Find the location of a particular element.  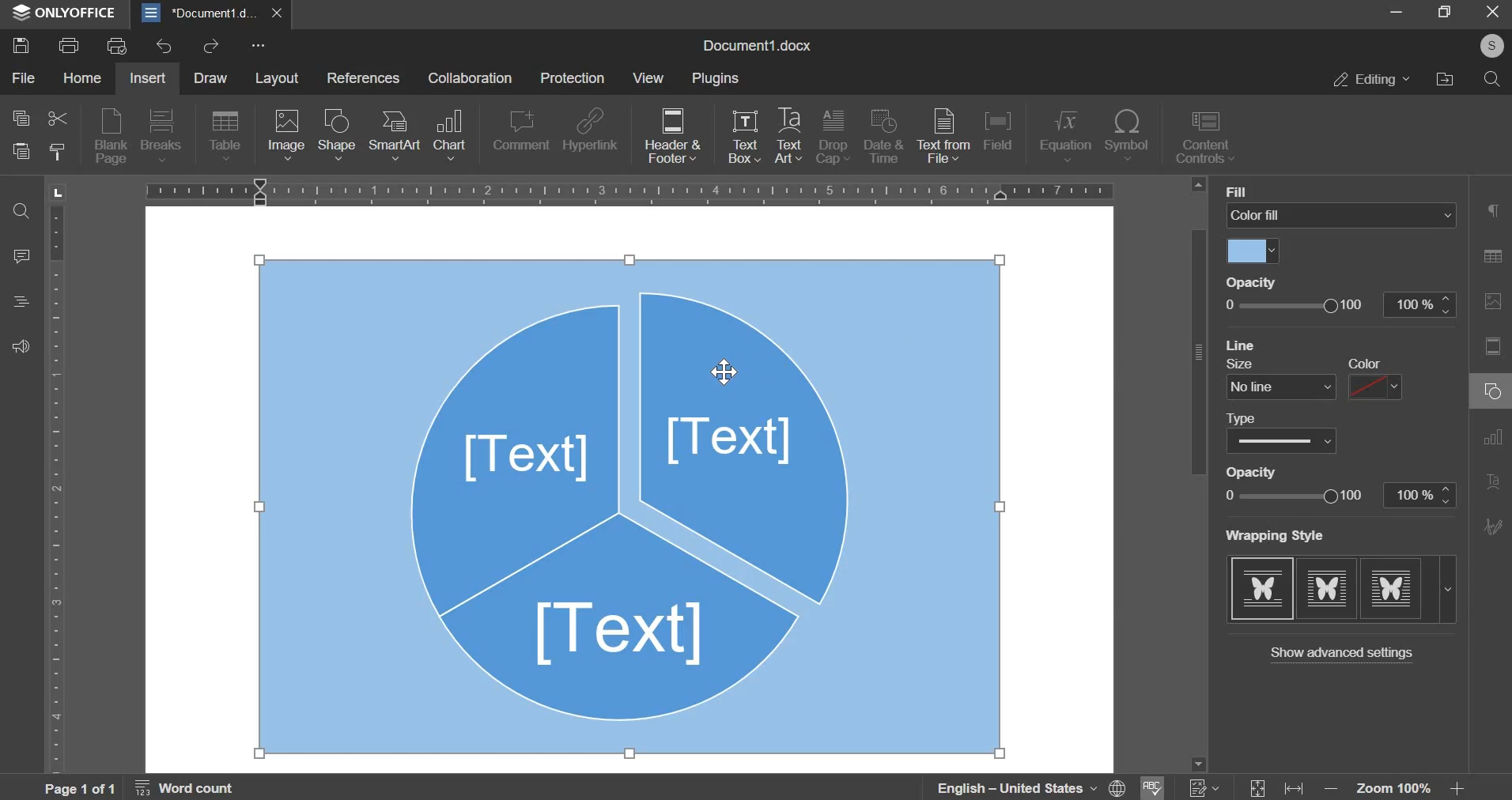

 is located at coordinates (1247, 365).